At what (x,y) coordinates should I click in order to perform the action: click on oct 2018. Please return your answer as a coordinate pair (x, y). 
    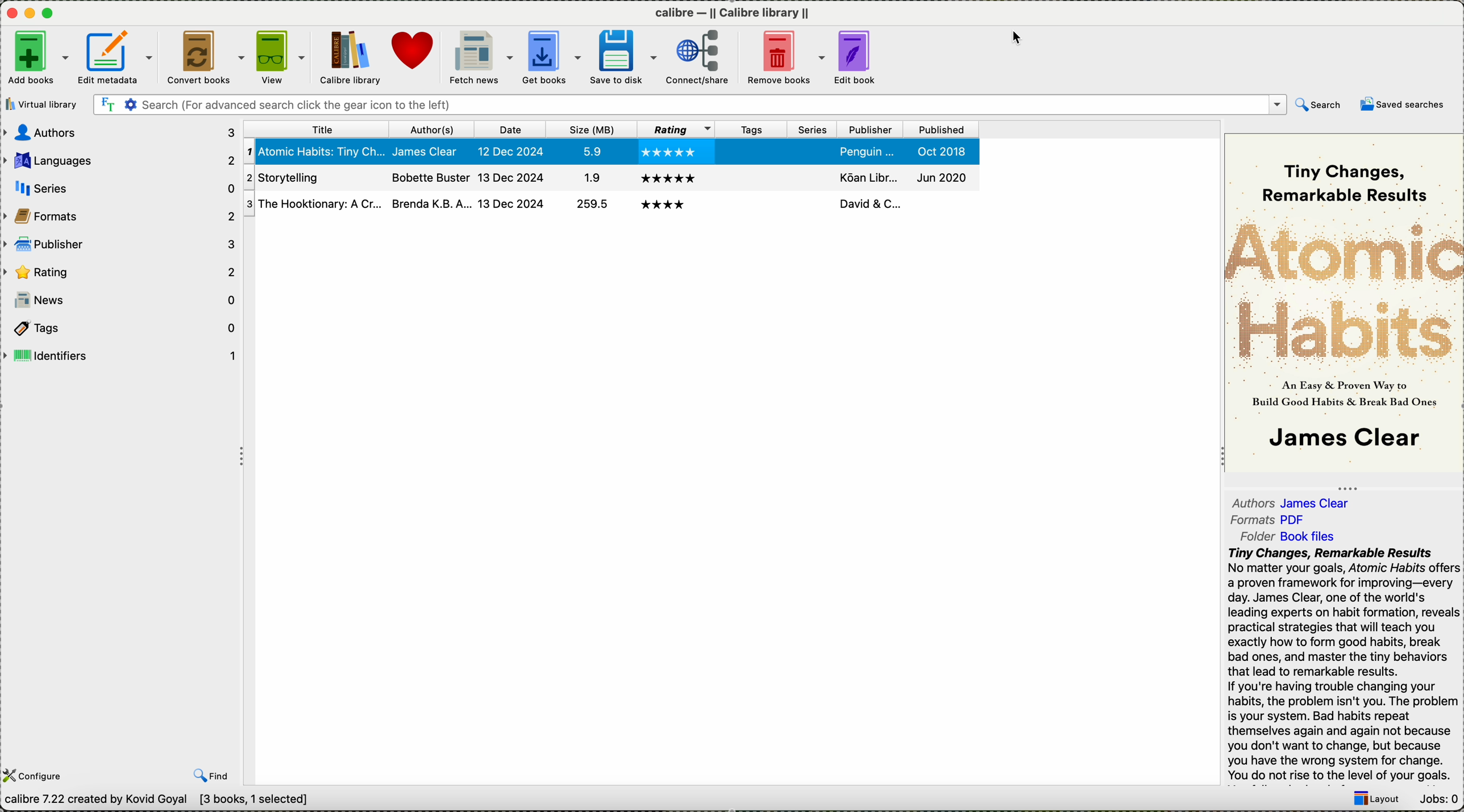
    Looking at the image, I should click on (945, 151).